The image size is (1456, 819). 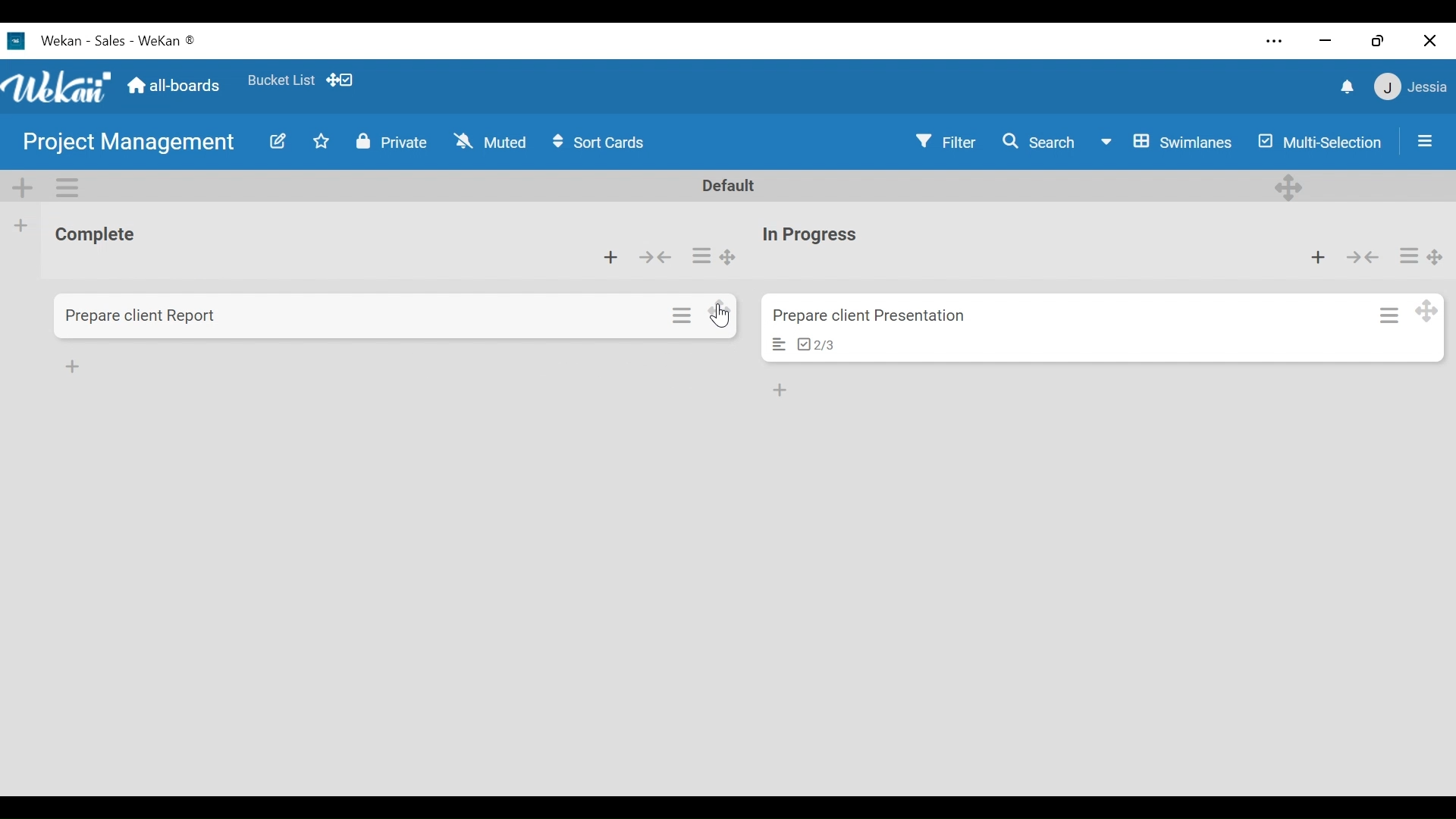 I want to click on Wekan logo, so click(x=19, y=41).